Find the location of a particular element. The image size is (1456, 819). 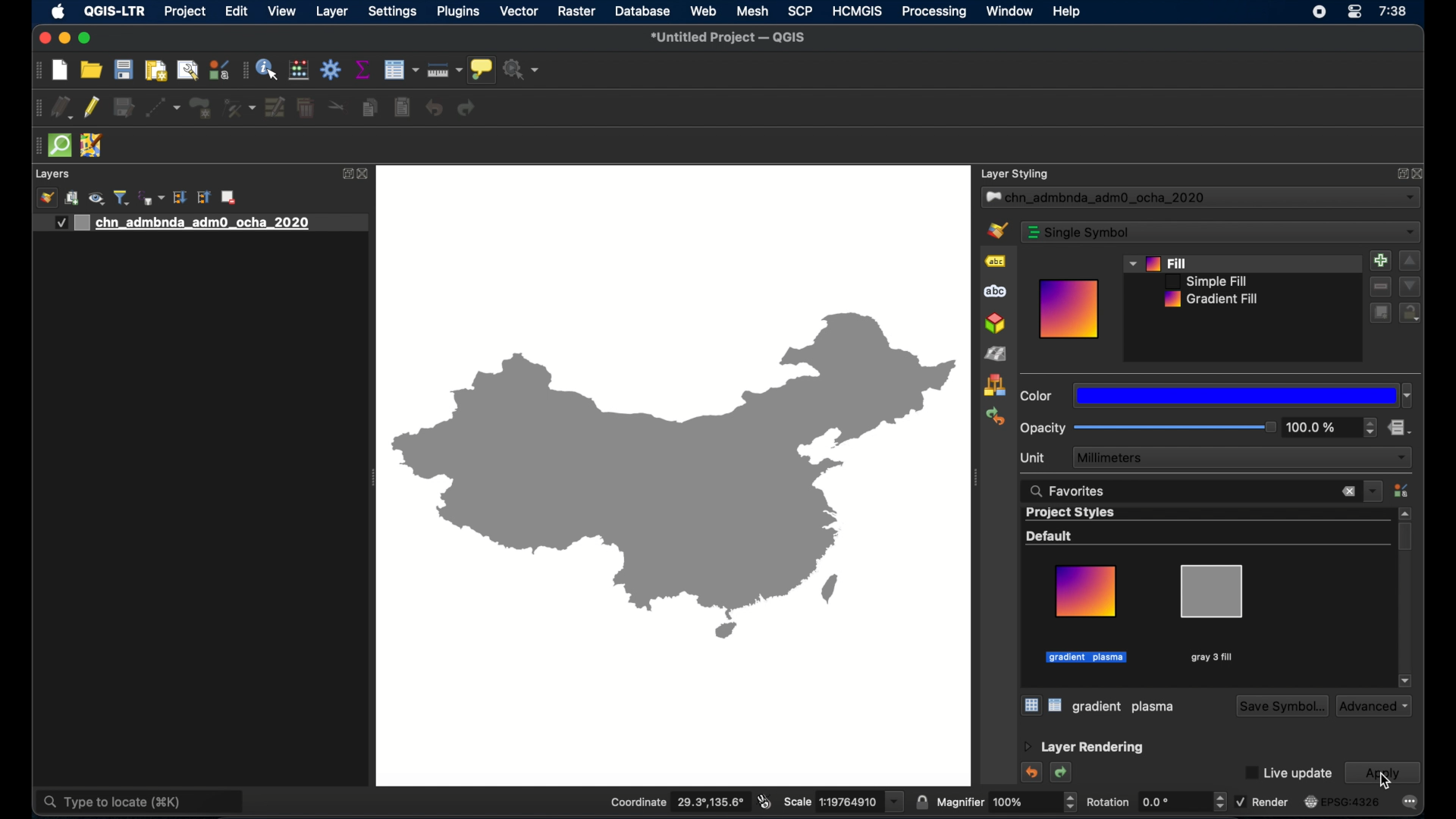

modify attributes is located at coordinates (275, 108).